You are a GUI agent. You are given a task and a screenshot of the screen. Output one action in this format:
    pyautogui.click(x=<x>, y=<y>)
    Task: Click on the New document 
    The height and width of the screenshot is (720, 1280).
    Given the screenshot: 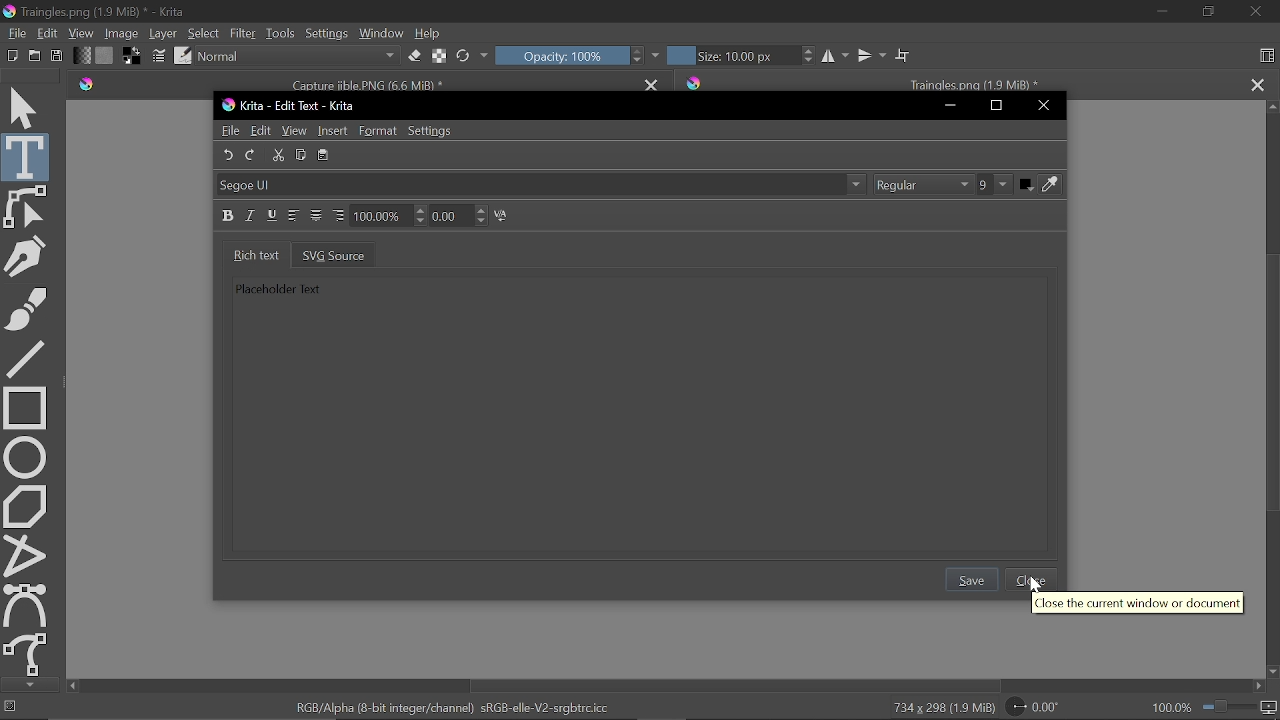 What is the action you would take?
    pyautogui.click(x=10, y=57)
    